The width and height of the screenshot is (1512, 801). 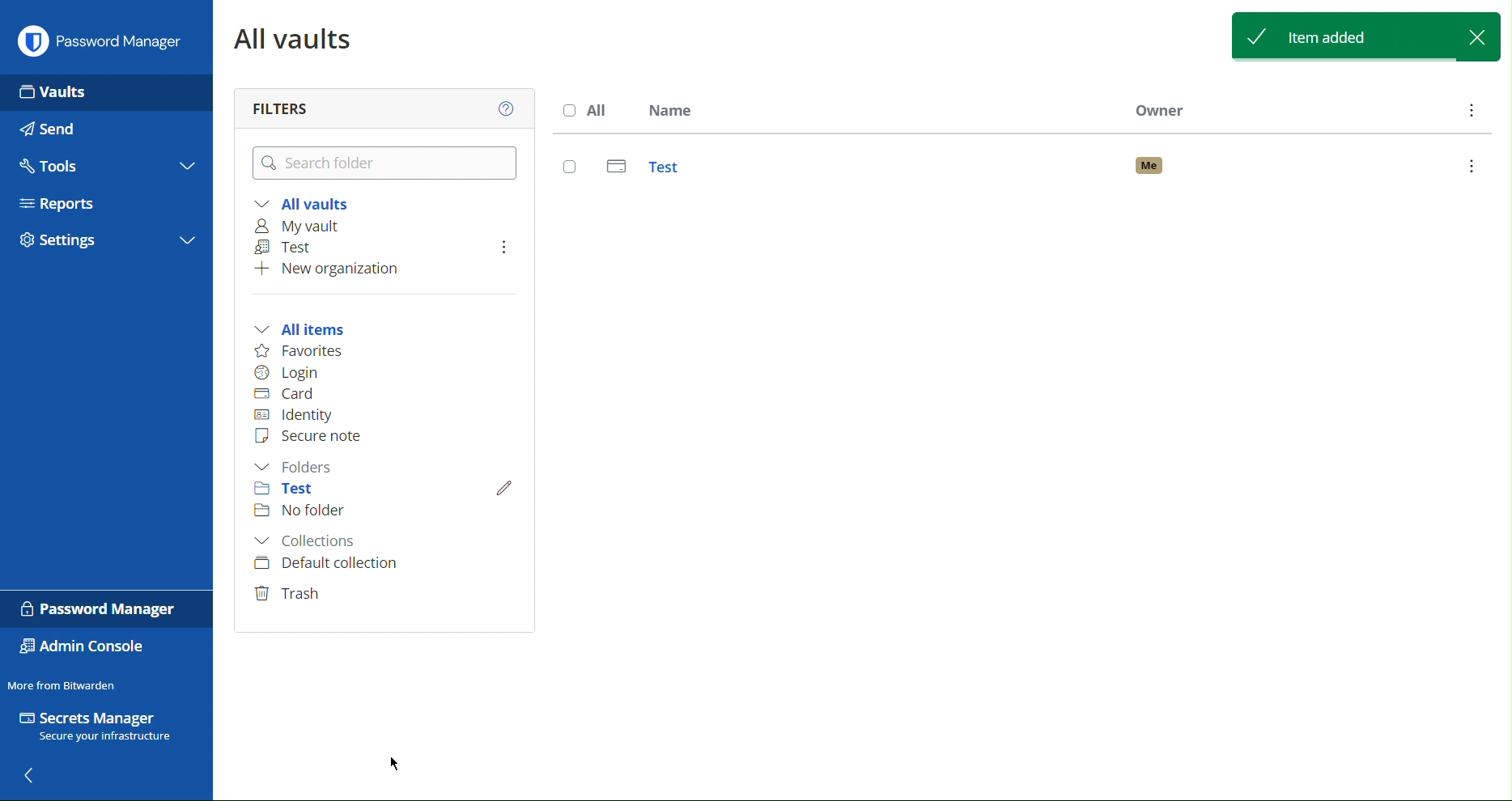 What do you see at coordinates (59, 165) in the screenshot?
I see `Tools` at bounding box center [59, 165].